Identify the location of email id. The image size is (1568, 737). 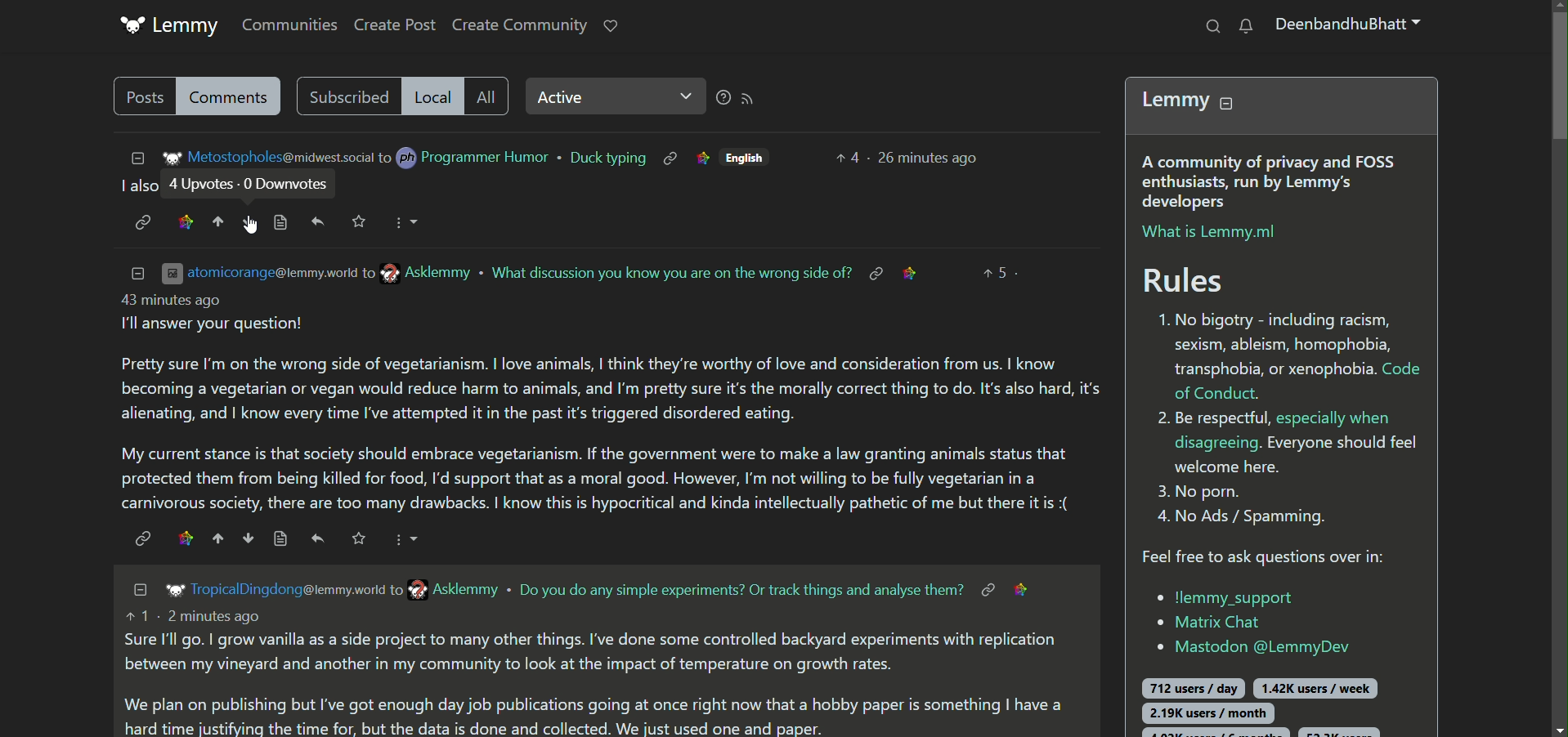
(320, 273).